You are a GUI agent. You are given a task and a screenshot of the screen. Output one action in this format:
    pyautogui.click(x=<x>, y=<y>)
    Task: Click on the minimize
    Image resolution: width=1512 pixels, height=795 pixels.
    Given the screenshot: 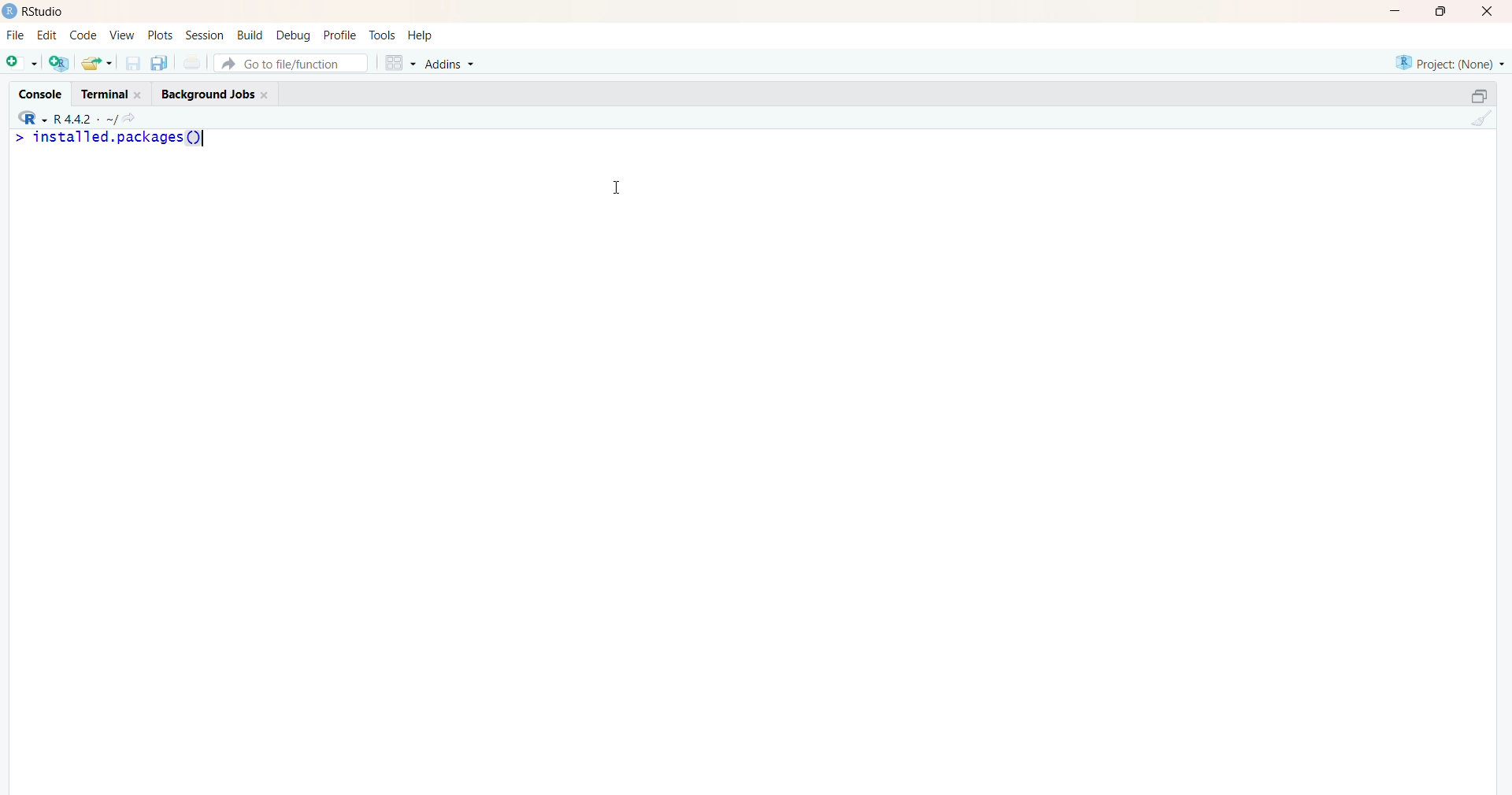 What is the action you would take?
    pyautogui.click(x=1392, y=11)
    